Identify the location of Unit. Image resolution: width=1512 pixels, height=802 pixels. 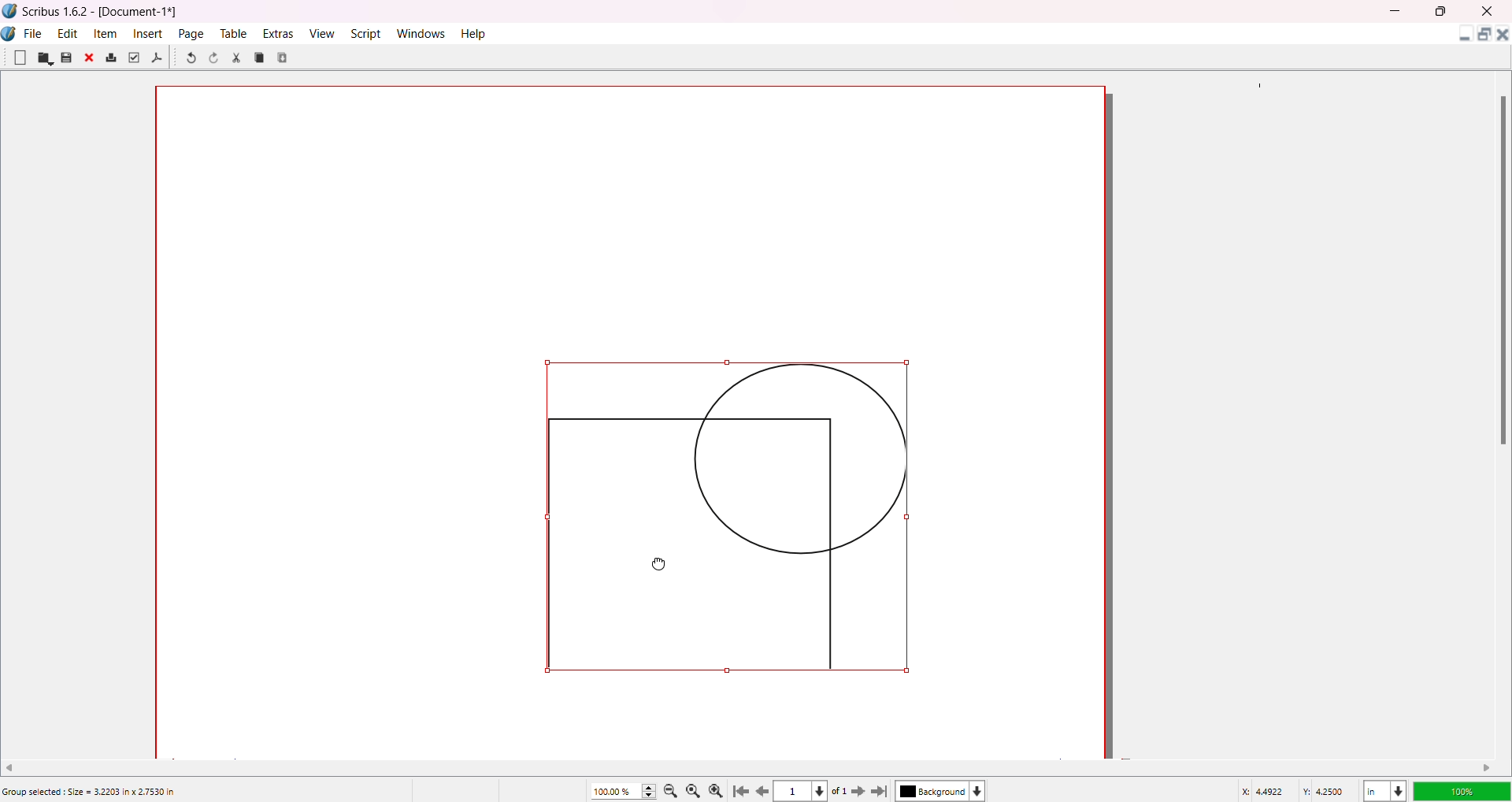
(1384, 789).